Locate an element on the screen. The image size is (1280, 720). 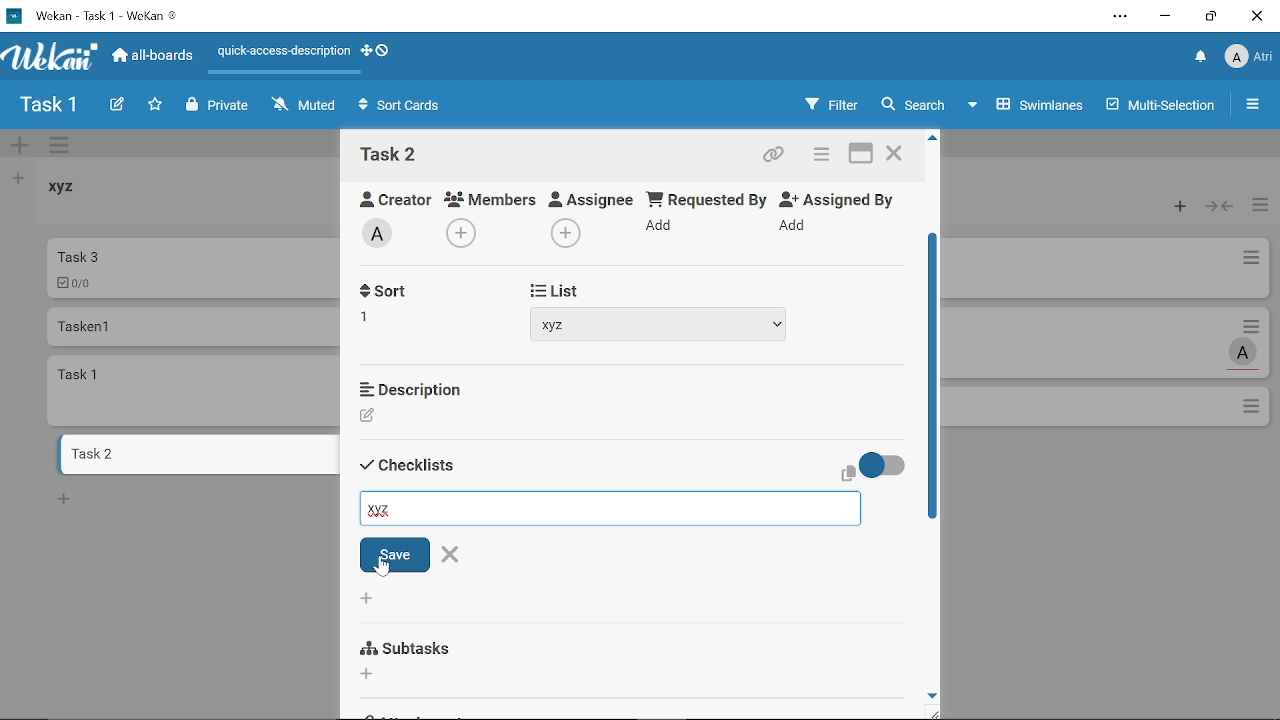
Filters is located at coordinates (827, 105).